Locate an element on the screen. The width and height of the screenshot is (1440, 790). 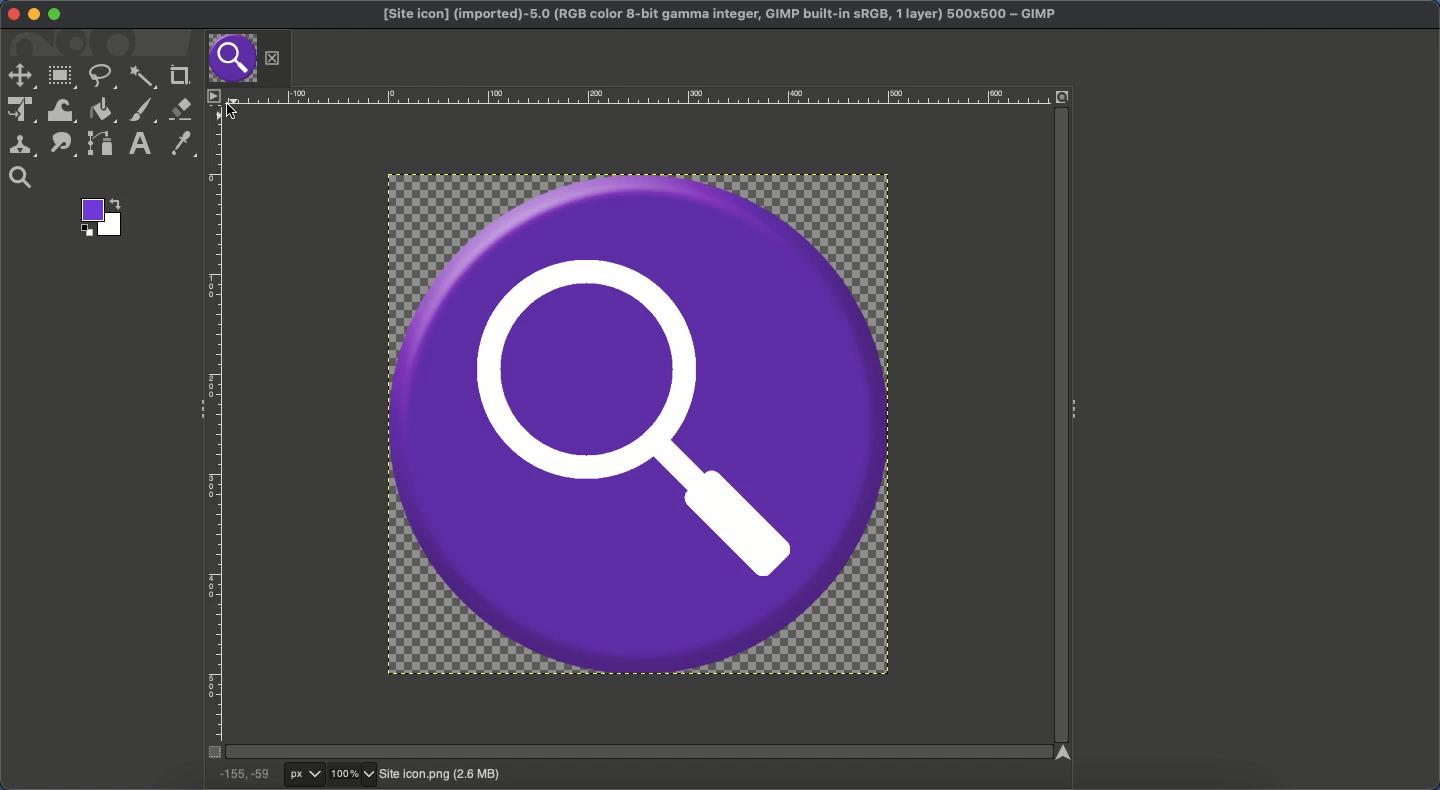
Eraser is located at coordinates (181, 110).